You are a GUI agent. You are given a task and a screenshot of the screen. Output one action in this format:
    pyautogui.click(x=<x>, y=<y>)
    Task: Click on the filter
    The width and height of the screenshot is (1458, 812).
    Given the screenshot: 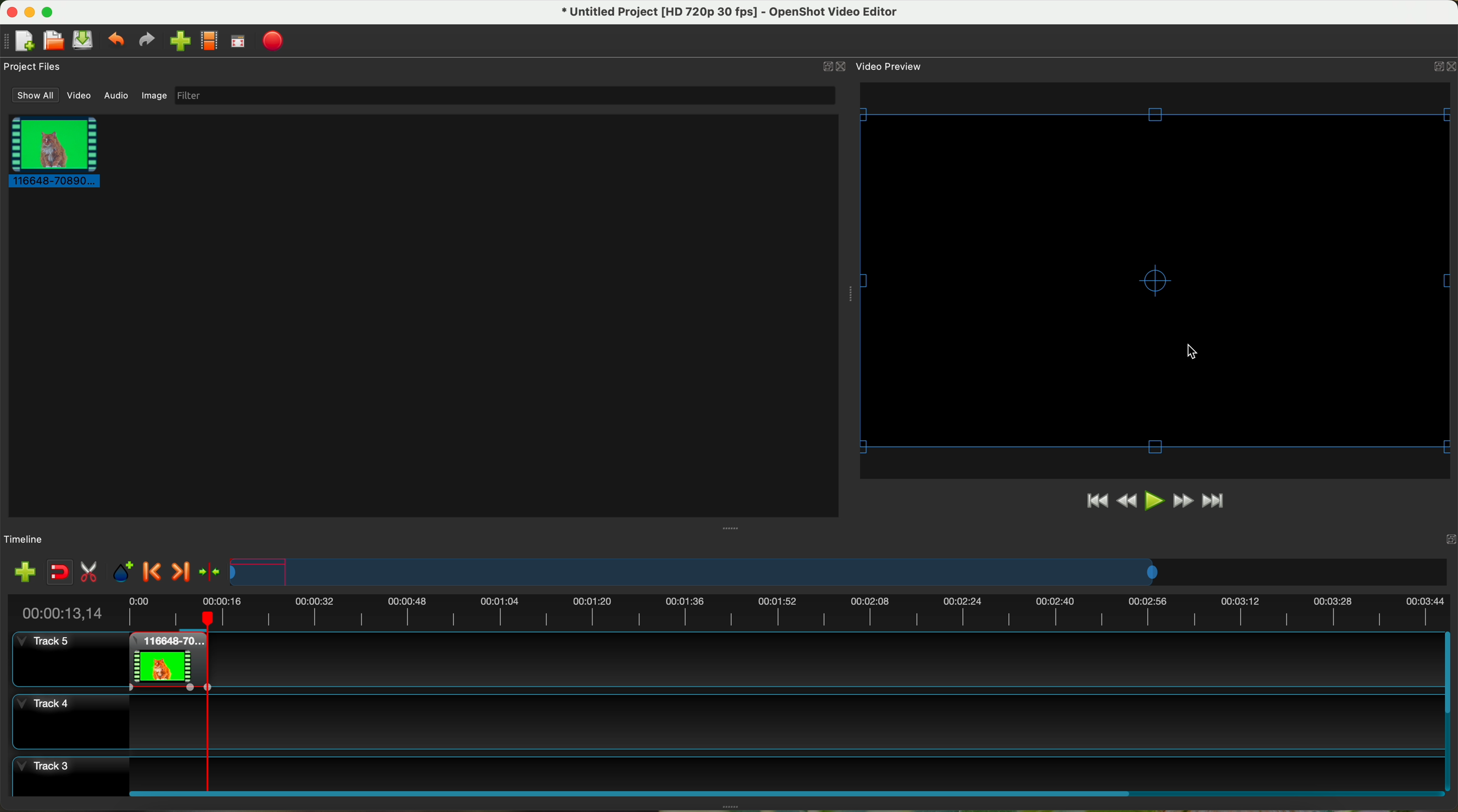 What is the action you would take?
    pyautogui.click(x=504, y=95)
    